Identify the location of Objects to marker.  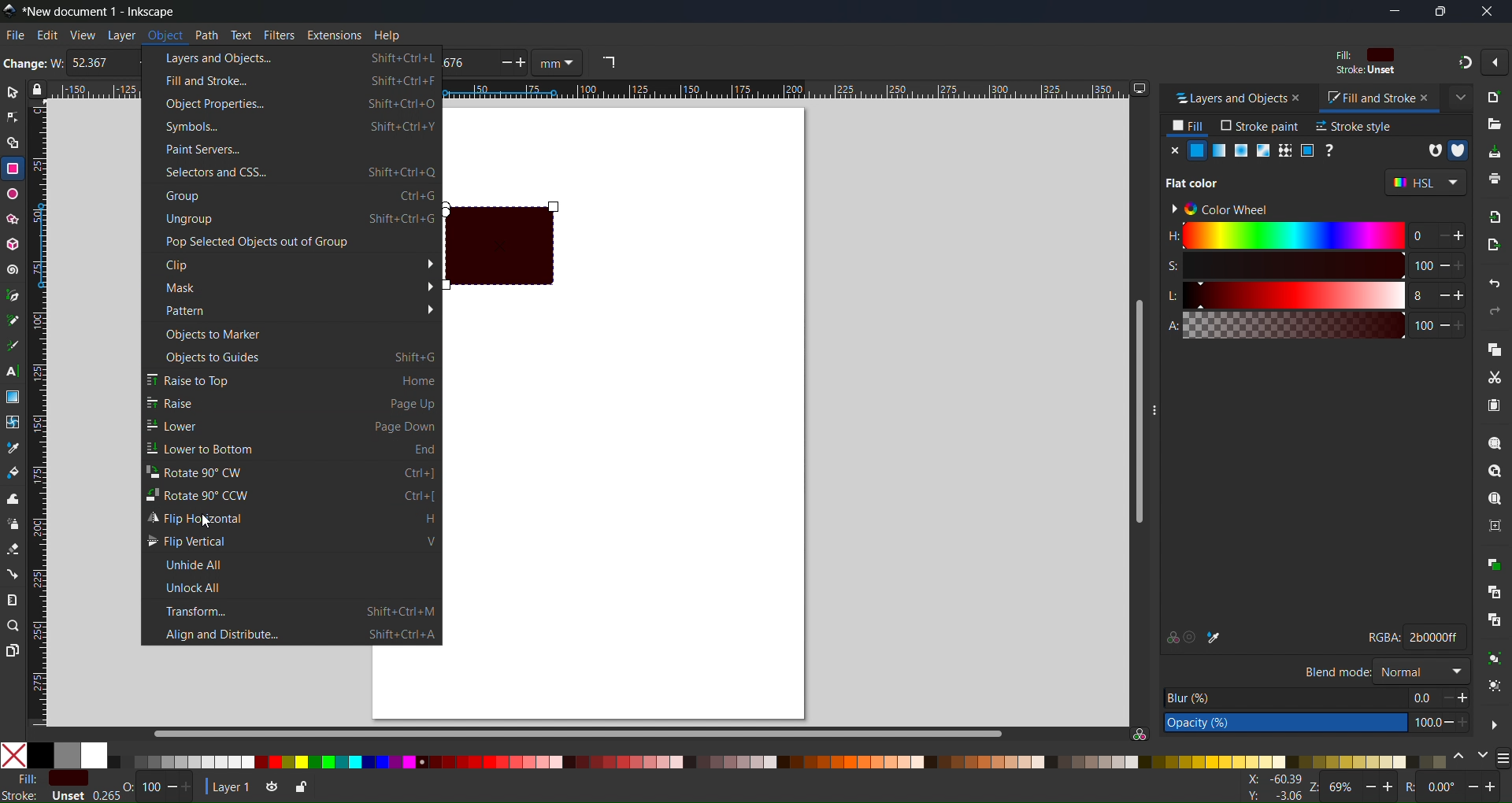
(292, 333).